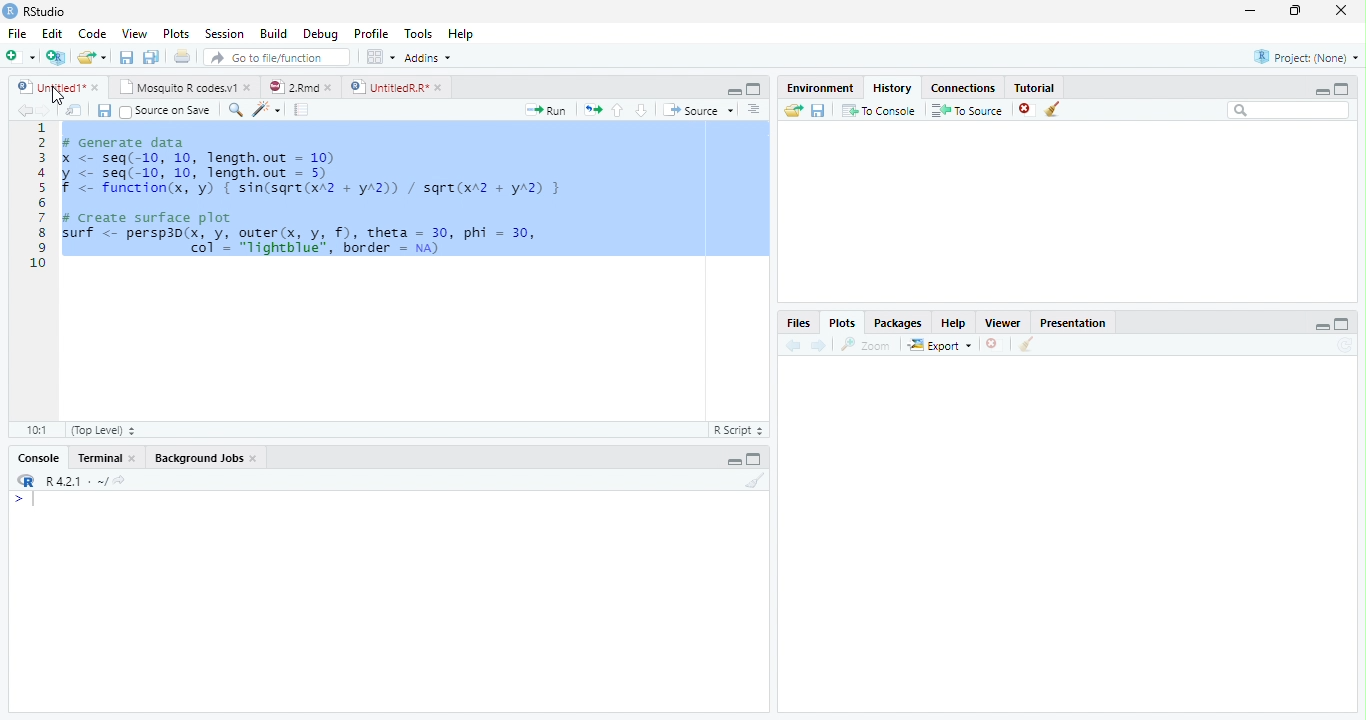  Describe the element at coordinates (954, 322) in the screenshot. I see `Help` at that location.